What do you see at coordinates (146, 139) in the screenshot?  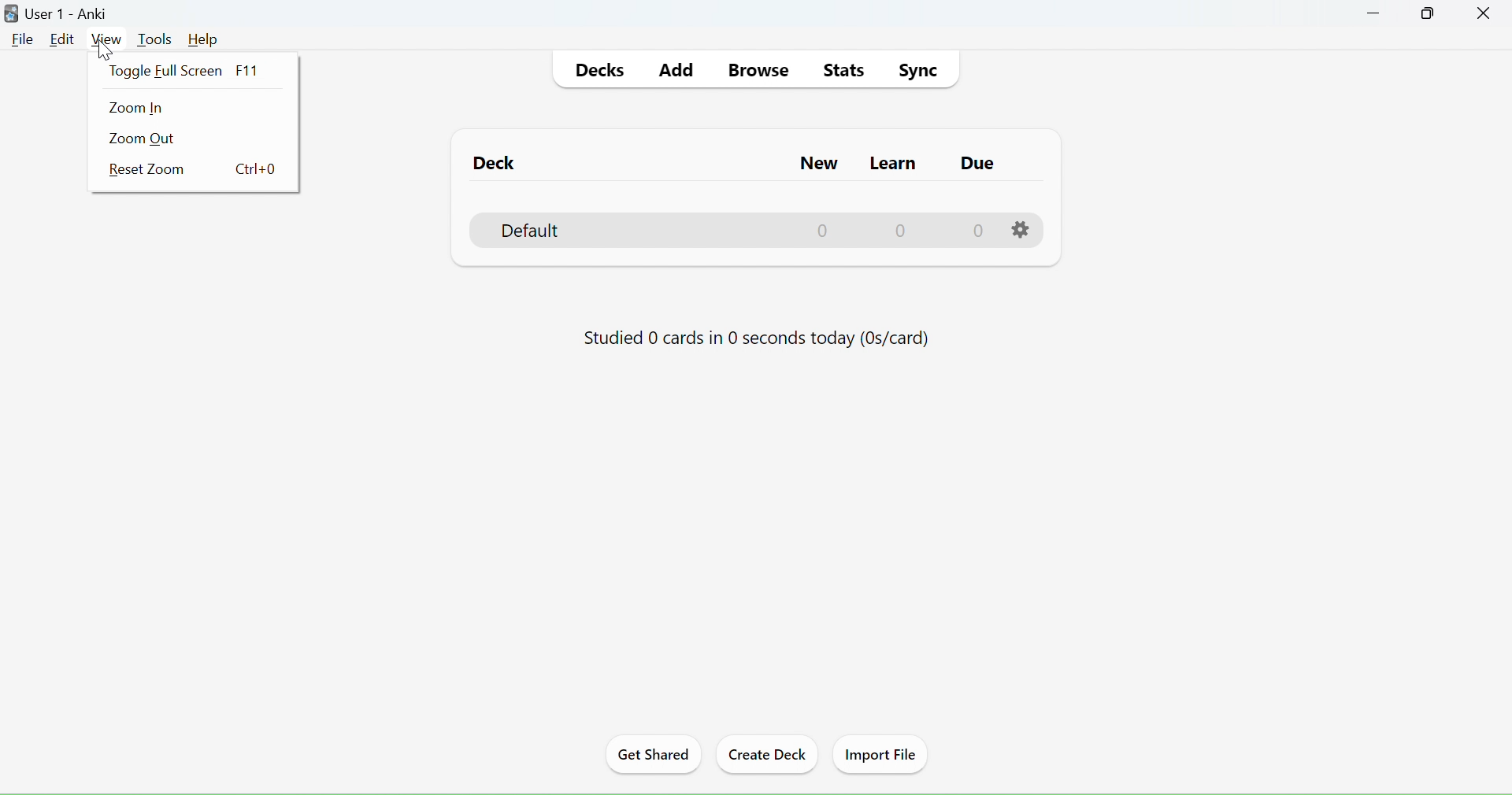 I see `zoom out` at bounding box center [146, 139].